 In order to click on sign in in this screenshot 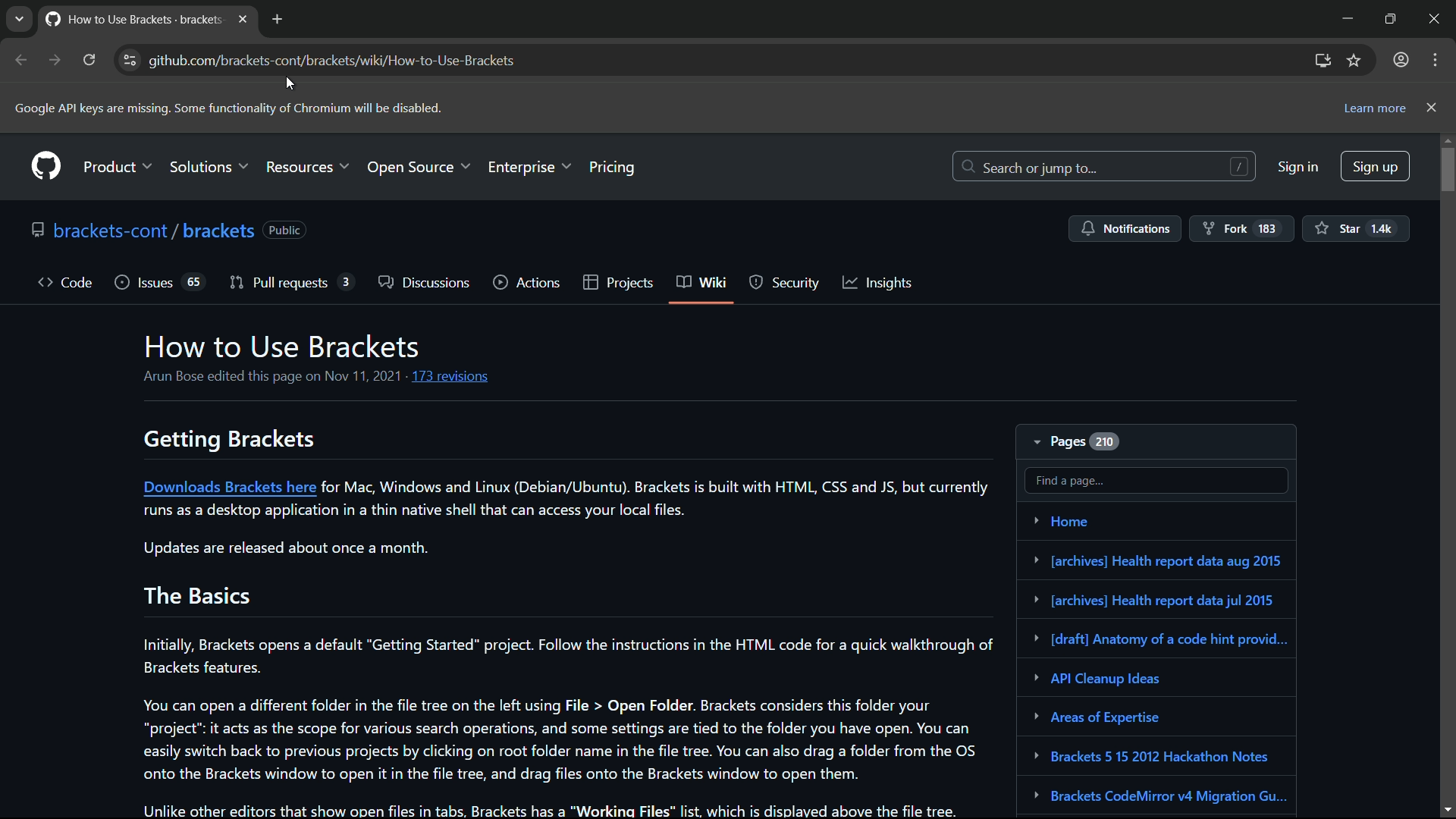, I will do `click(1298, 167)`.